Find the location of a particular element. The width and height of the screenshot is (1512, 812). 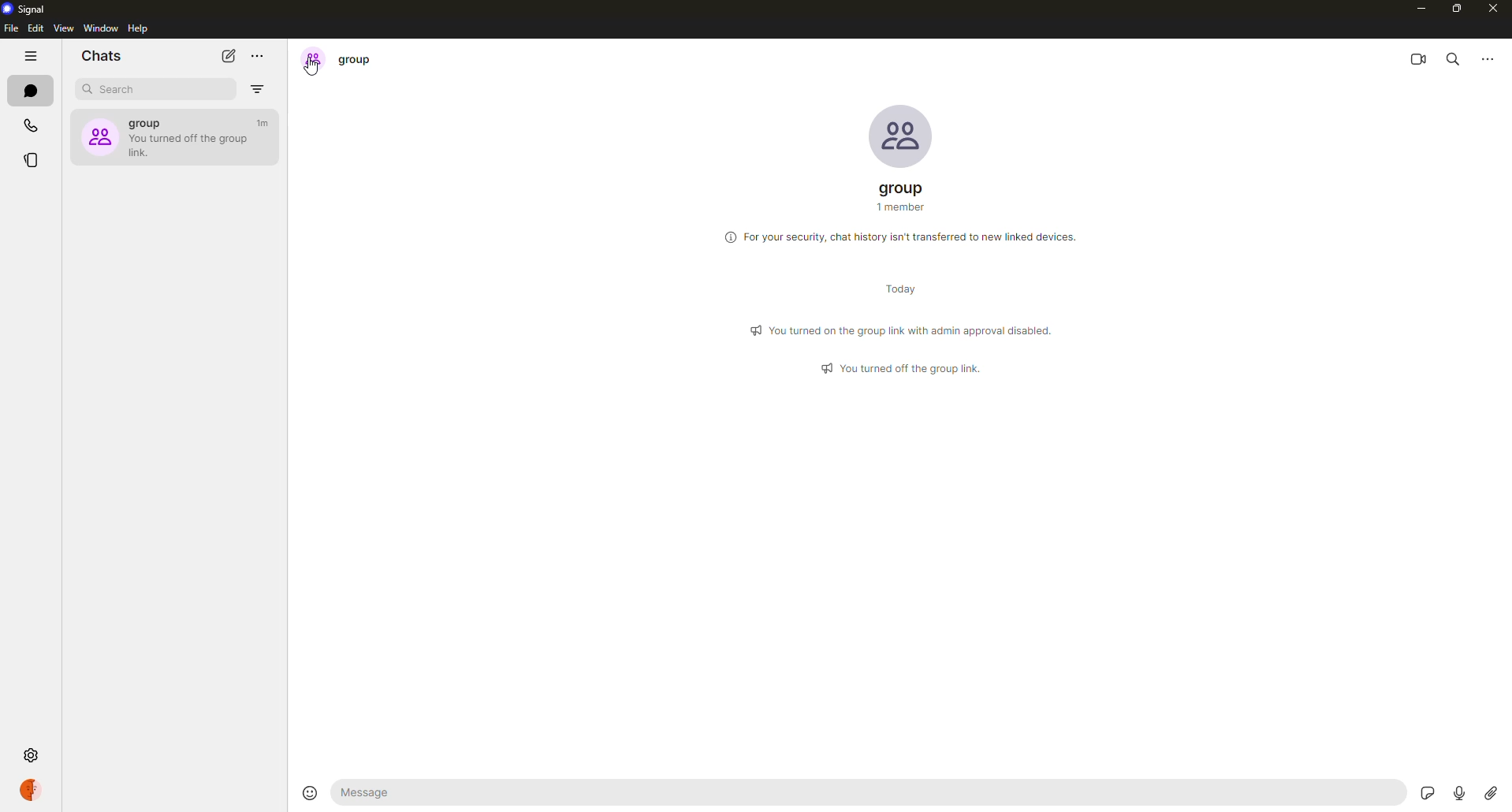

settings is located at coordinates (30, 754).